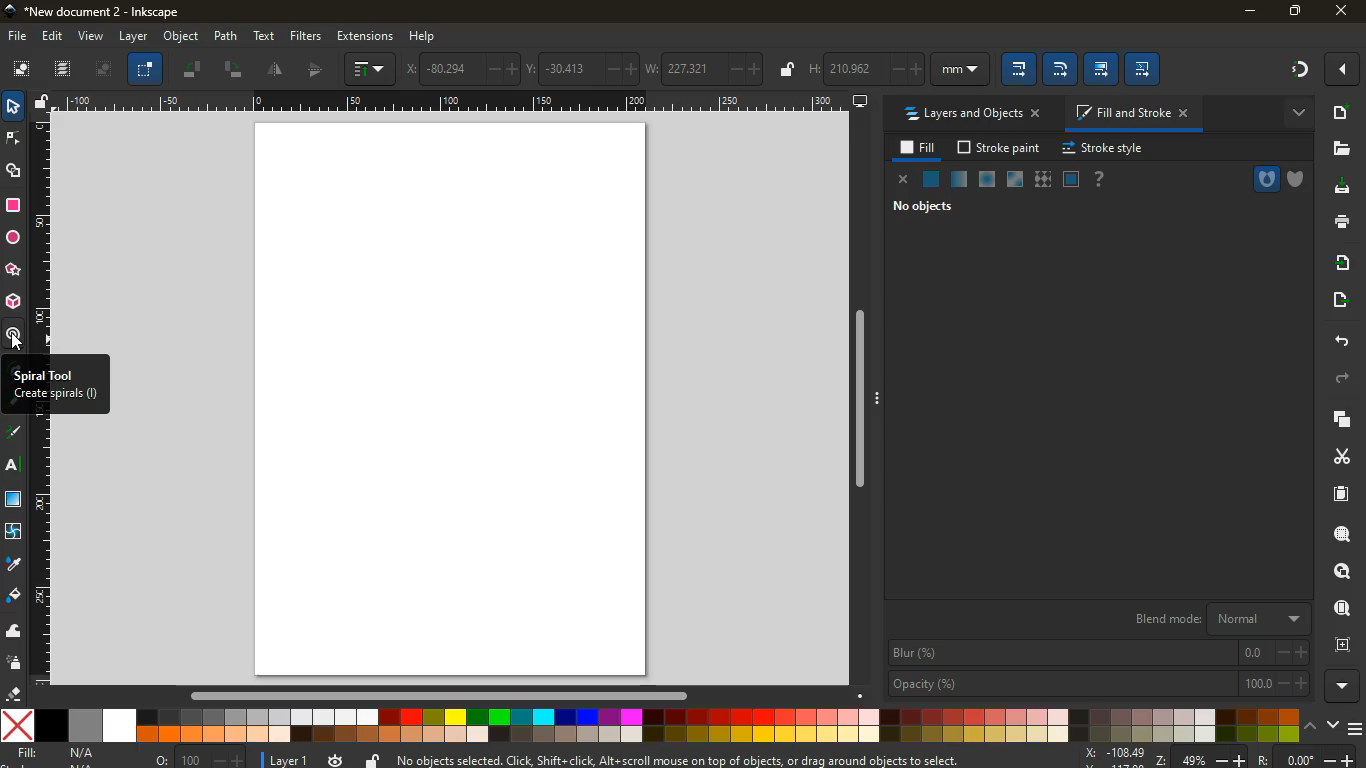 Image resolution: width=1366 pixels, height=768 pixels. I want to click on ice, so click(983, 180).